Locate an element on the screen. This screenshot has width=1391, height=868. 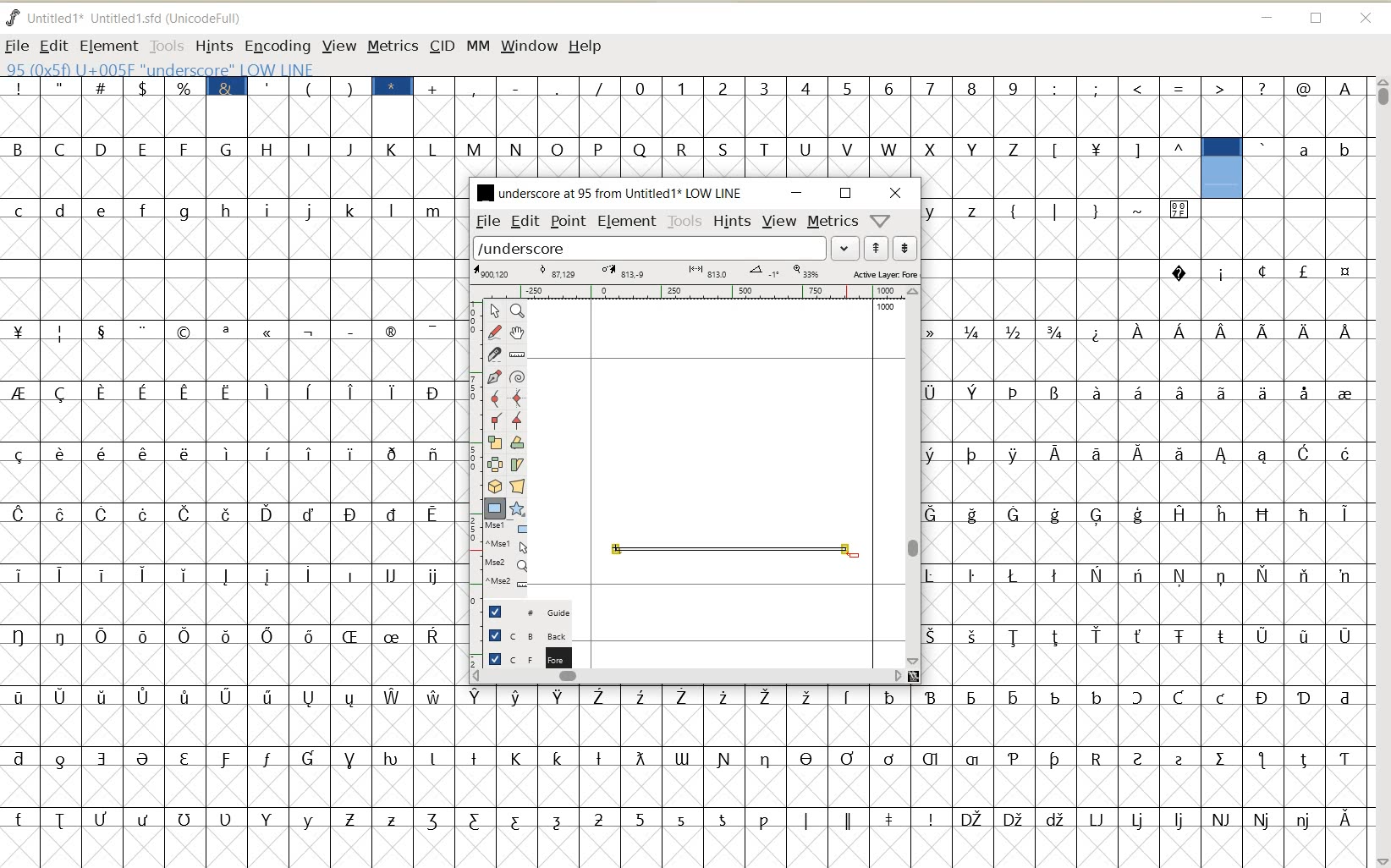
SCROLLBAR is located at coordinates (1381, 472).